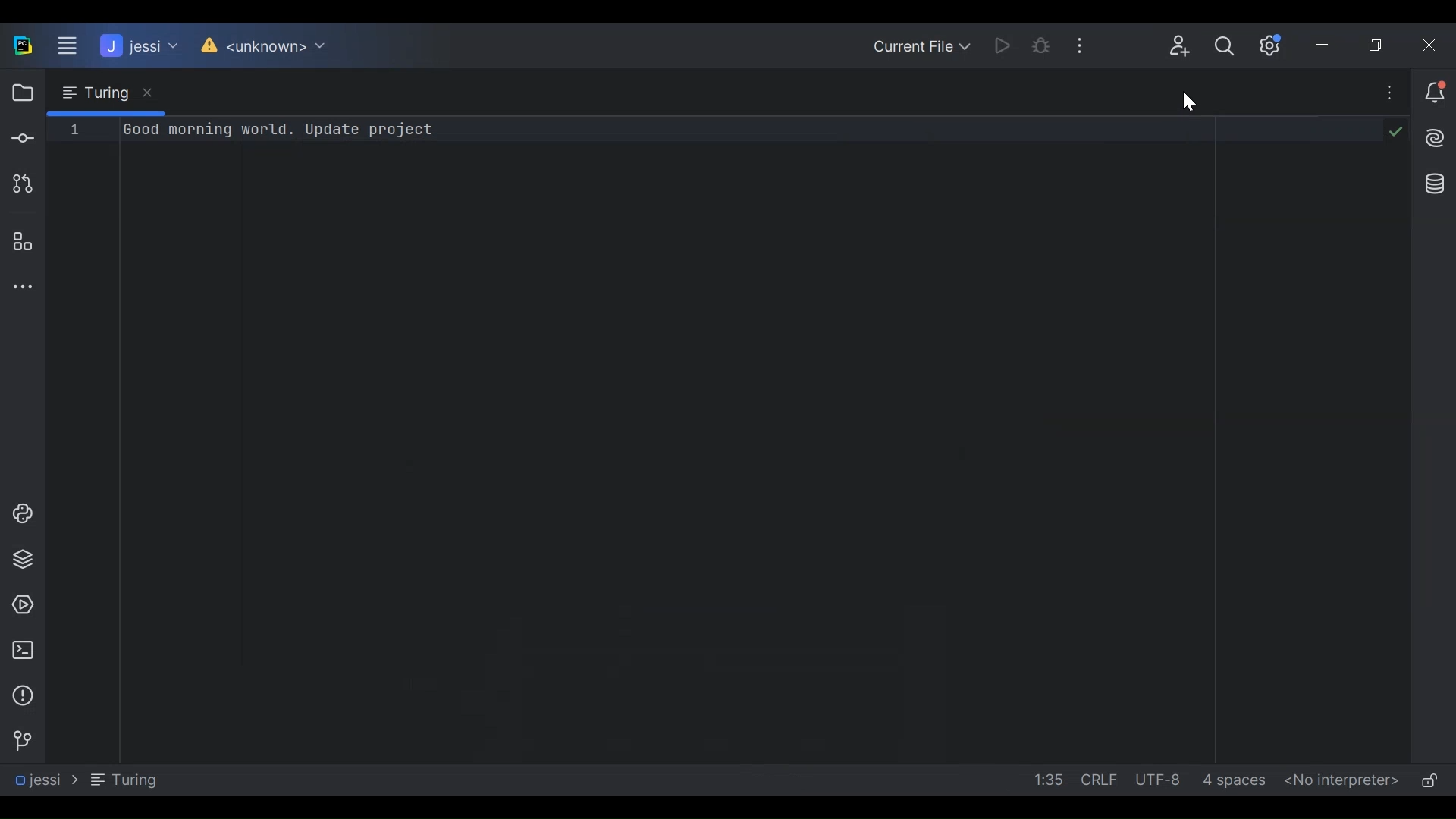  I want to click on PyCharm Desktop Icon, so click(22, 46).